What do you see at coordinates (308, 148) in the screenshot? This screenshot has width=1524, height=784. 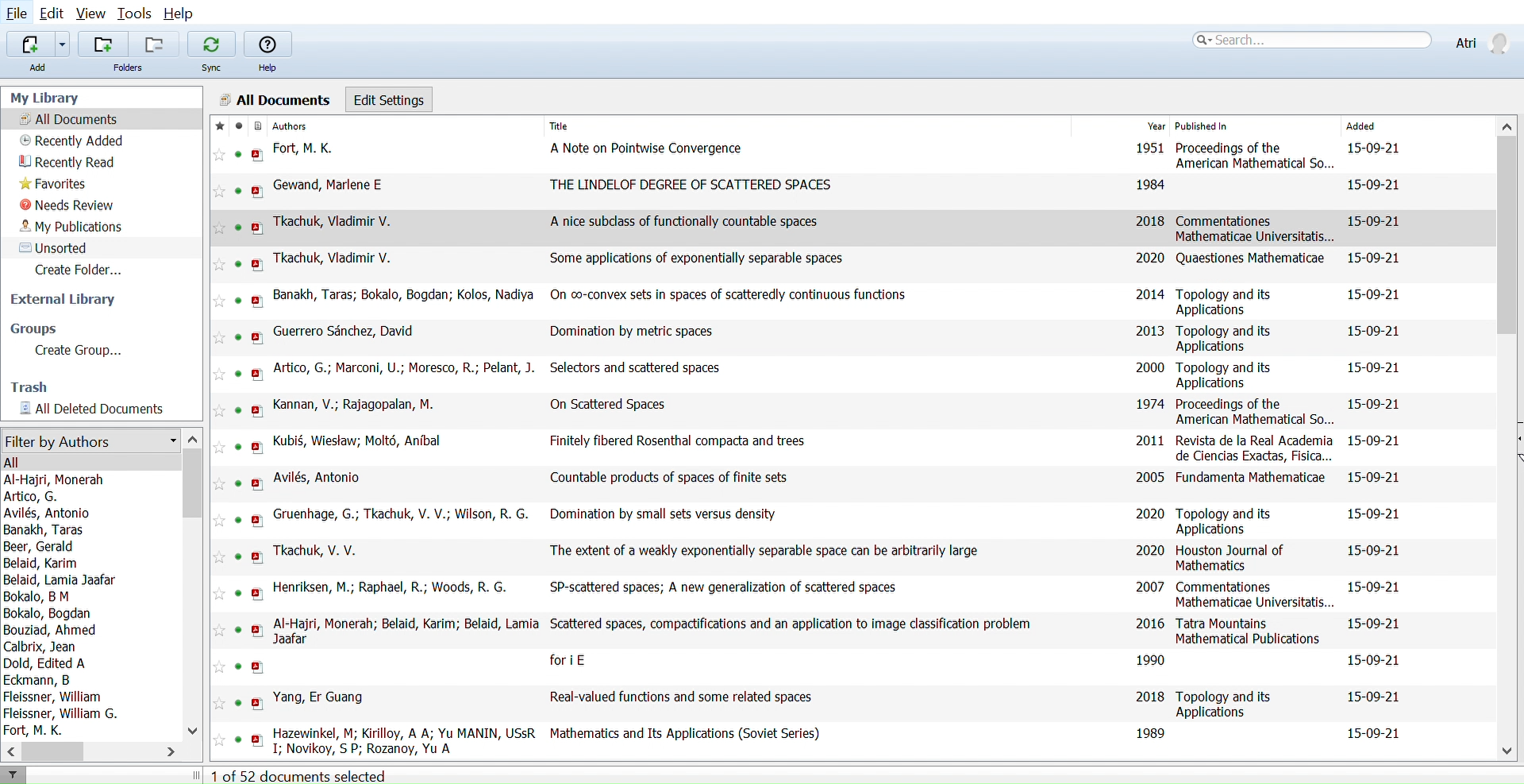 I see `Fort, M. K.` at bounding box center [308, 148].